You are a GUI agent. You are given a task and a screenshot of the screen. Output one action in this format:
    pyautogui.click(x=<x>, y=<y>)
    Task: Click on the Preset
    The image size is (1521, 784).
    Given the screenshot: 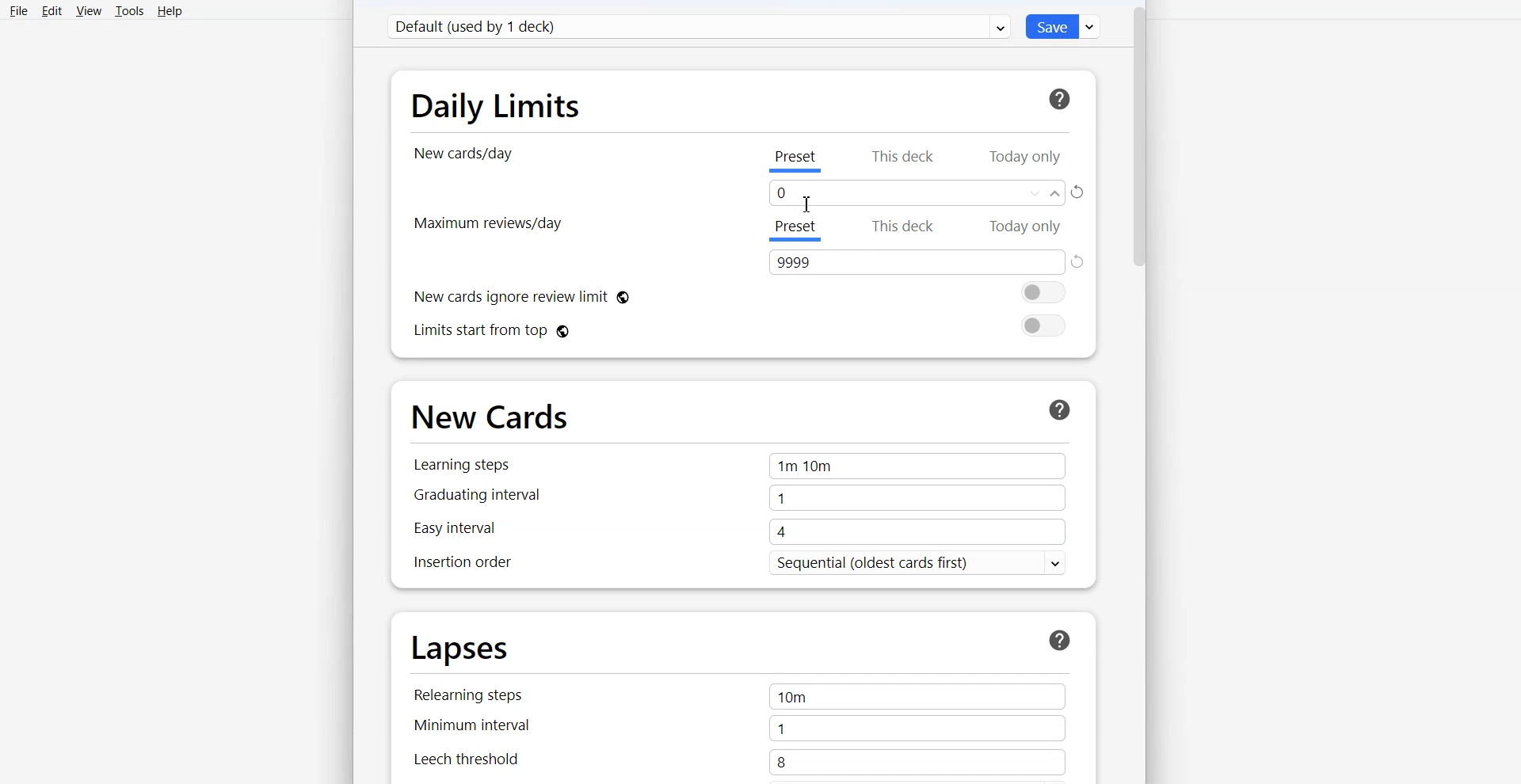 What is the action you would take?
    pyautogui.click(x=796, y=161)
    